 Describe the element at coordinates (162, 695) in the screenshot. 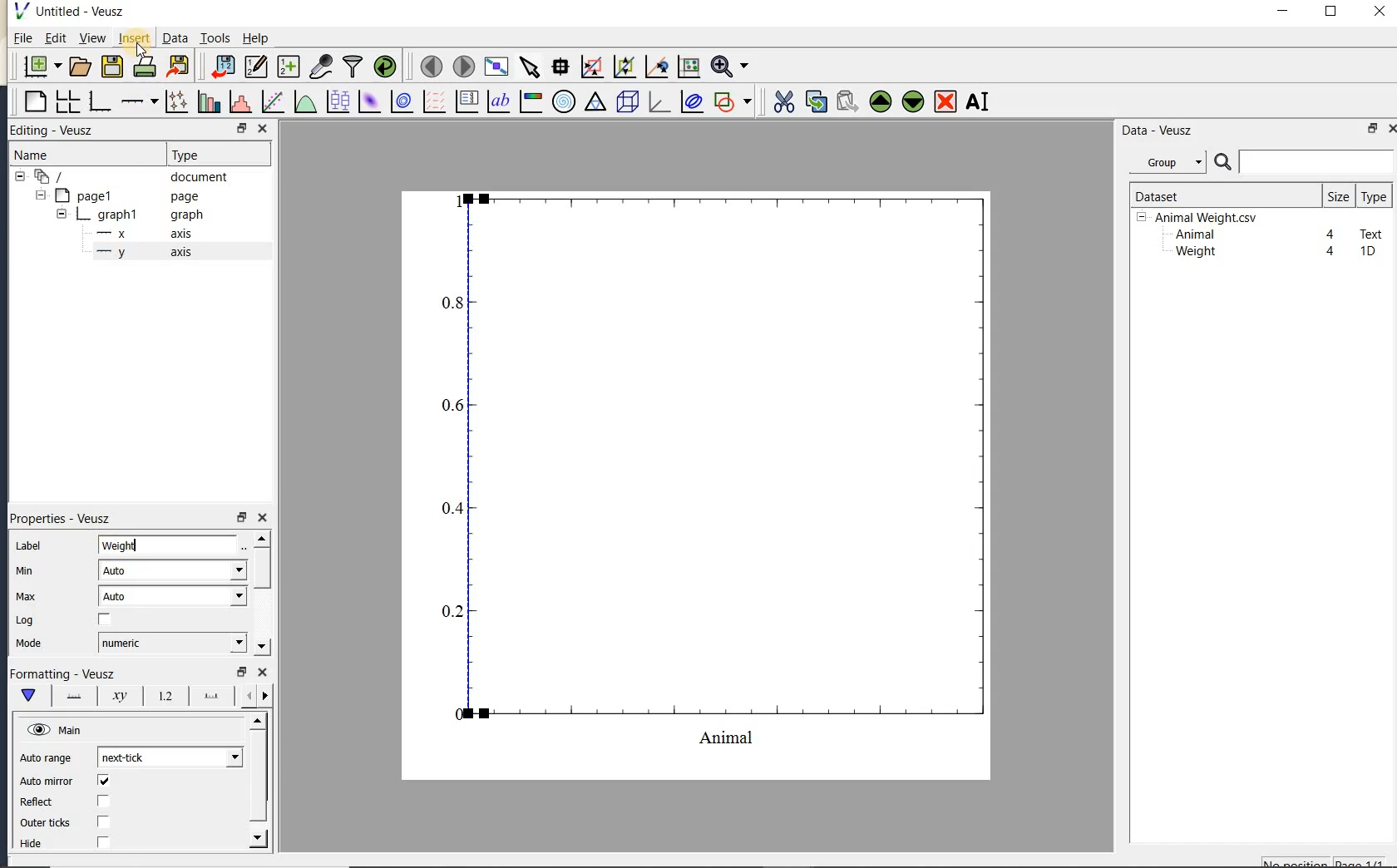

I see `tick labels` at that location.